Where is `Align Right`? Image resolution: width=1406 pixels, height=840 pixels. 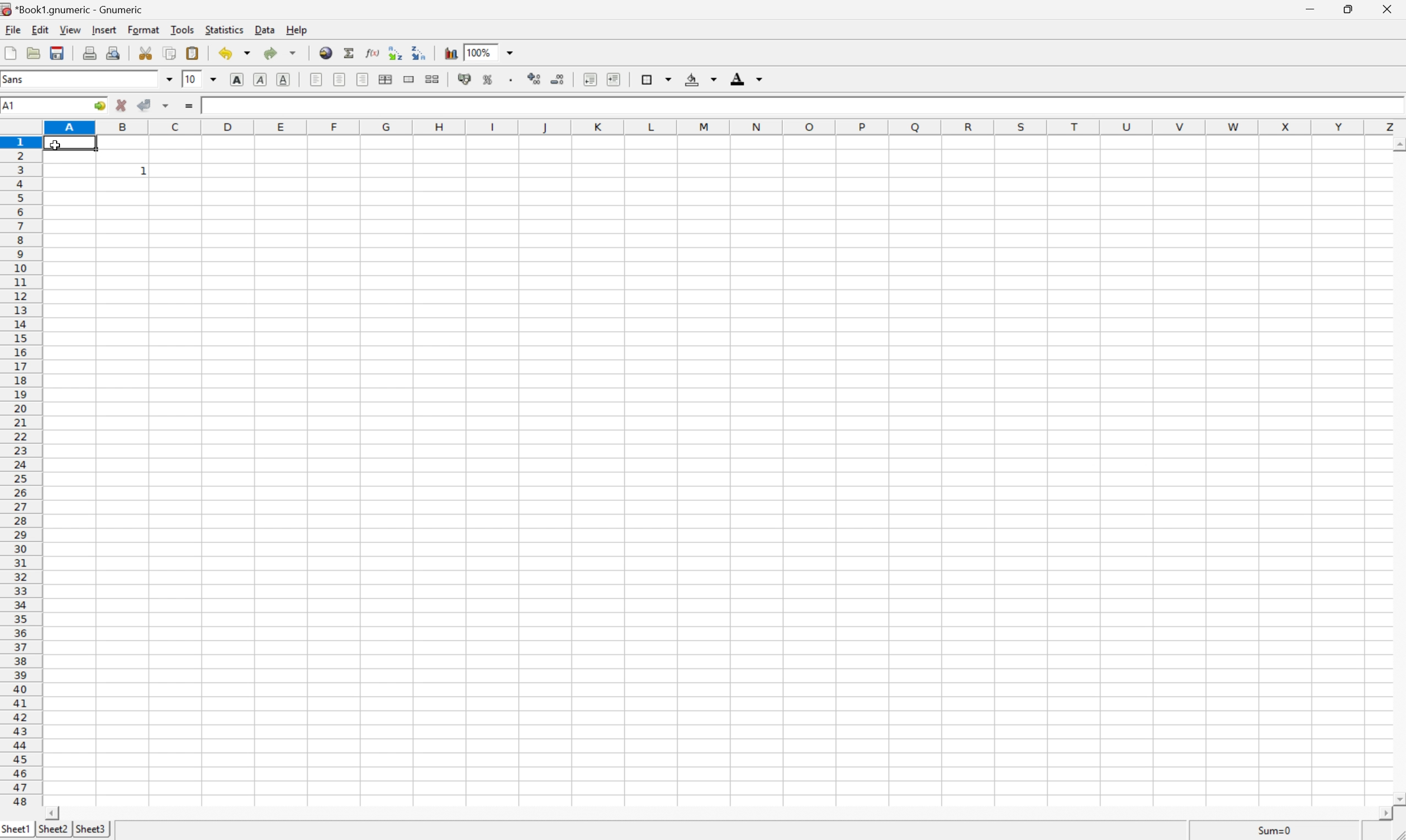 Align Right is located at coordinates (362, 78).